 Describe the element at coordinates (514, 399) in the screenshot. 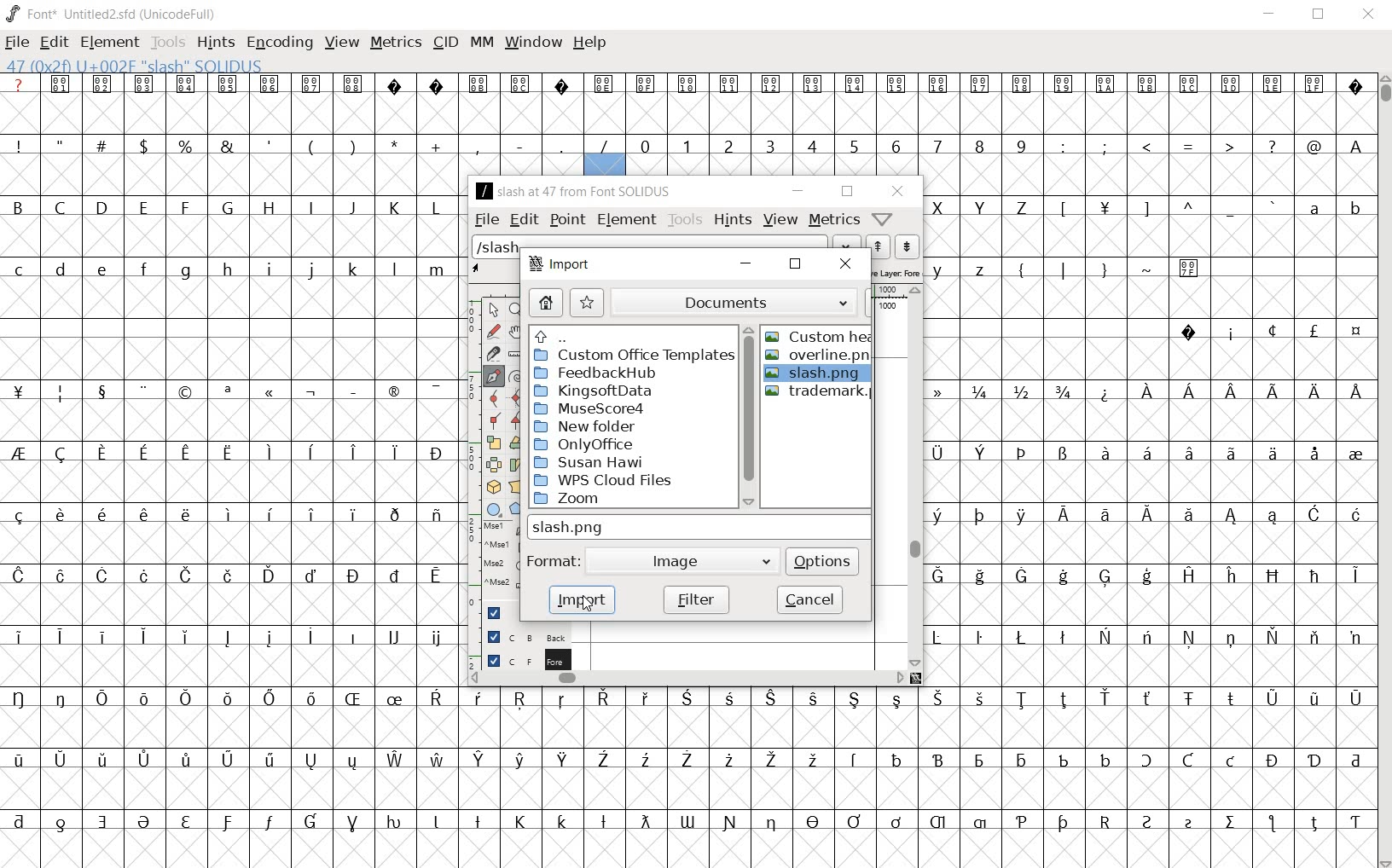

I see `add a curve point always either horizontal or vertical` at that location.